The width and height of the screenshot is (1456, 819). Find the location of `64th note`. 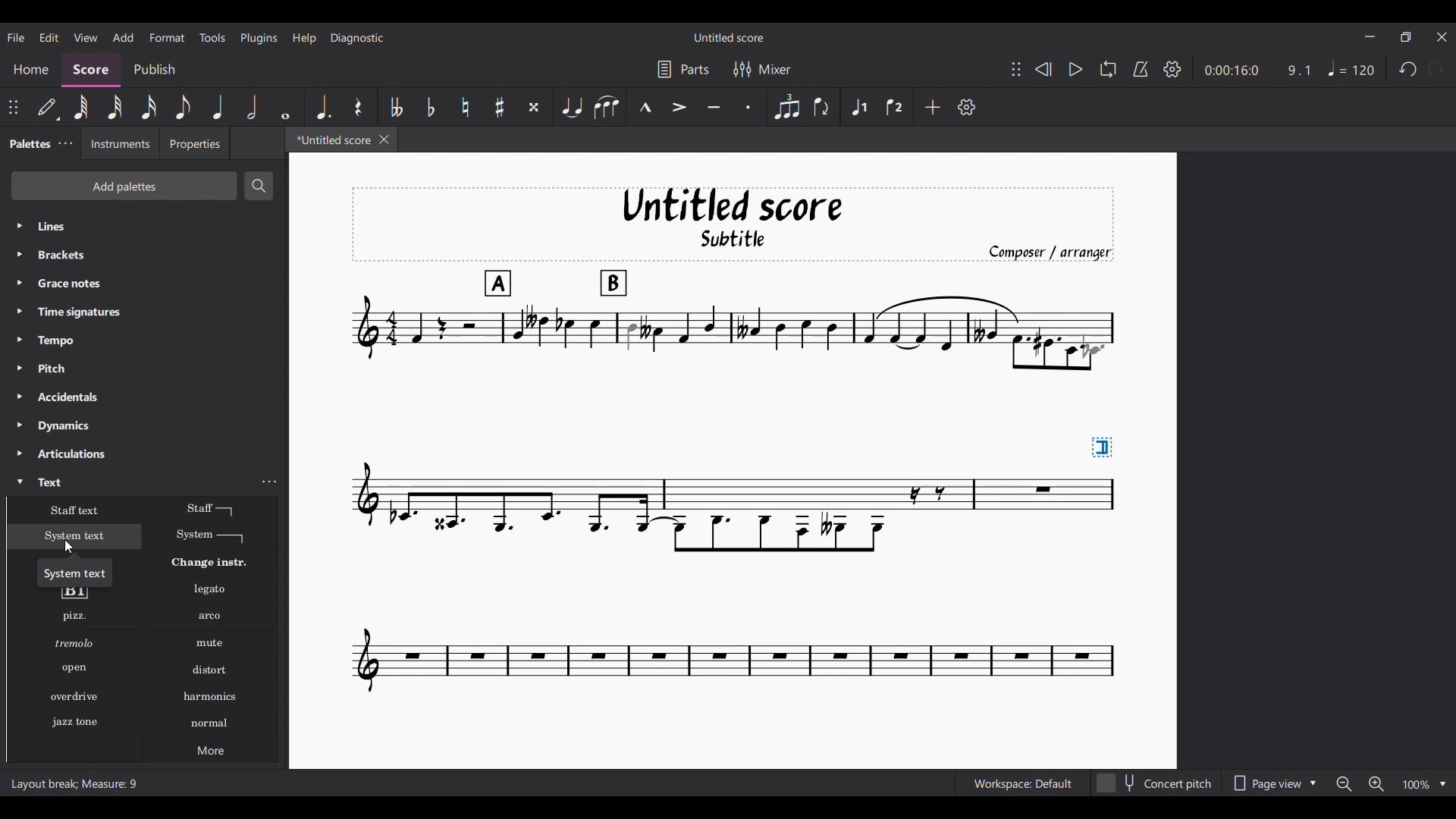

64th note is located at coordinates (81, 107).